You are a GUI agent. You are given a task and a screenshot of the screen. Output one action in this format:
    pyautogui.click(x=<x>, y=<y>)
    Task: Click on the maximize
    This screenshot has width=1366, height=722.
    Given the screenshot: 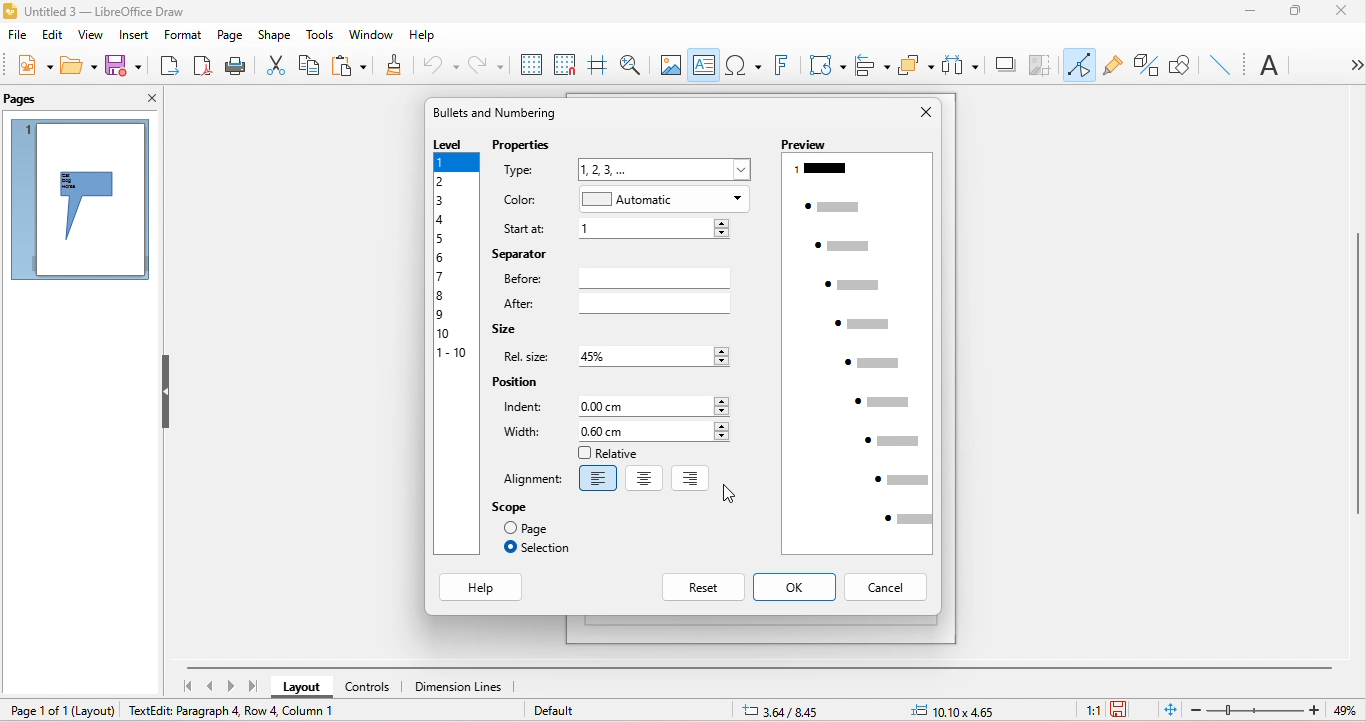 What is the action you would take?
    pyautogui.click(x=1295, y=12)
    